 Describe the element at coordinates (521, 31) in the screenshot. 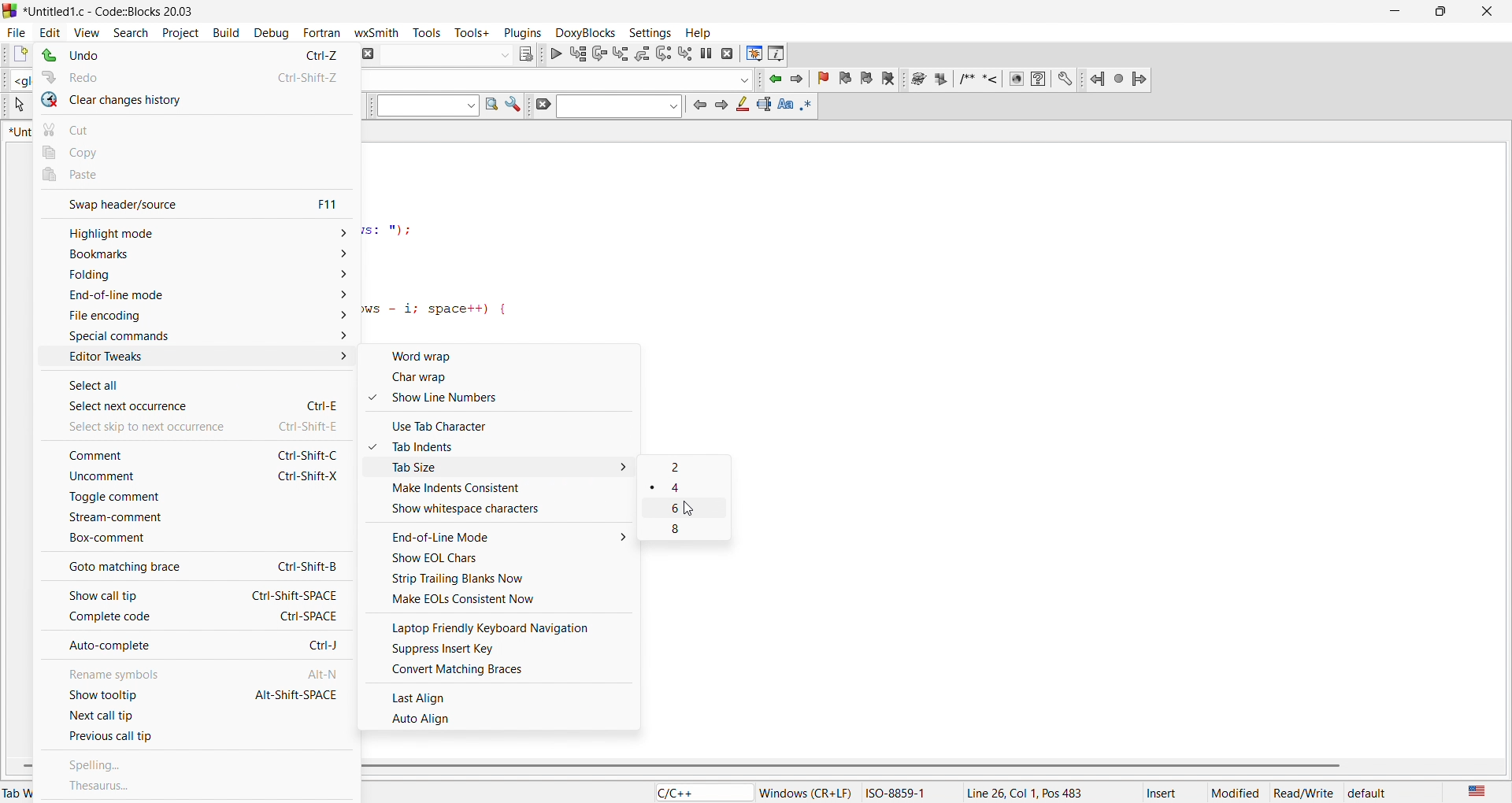

I see `plugins` at that location.